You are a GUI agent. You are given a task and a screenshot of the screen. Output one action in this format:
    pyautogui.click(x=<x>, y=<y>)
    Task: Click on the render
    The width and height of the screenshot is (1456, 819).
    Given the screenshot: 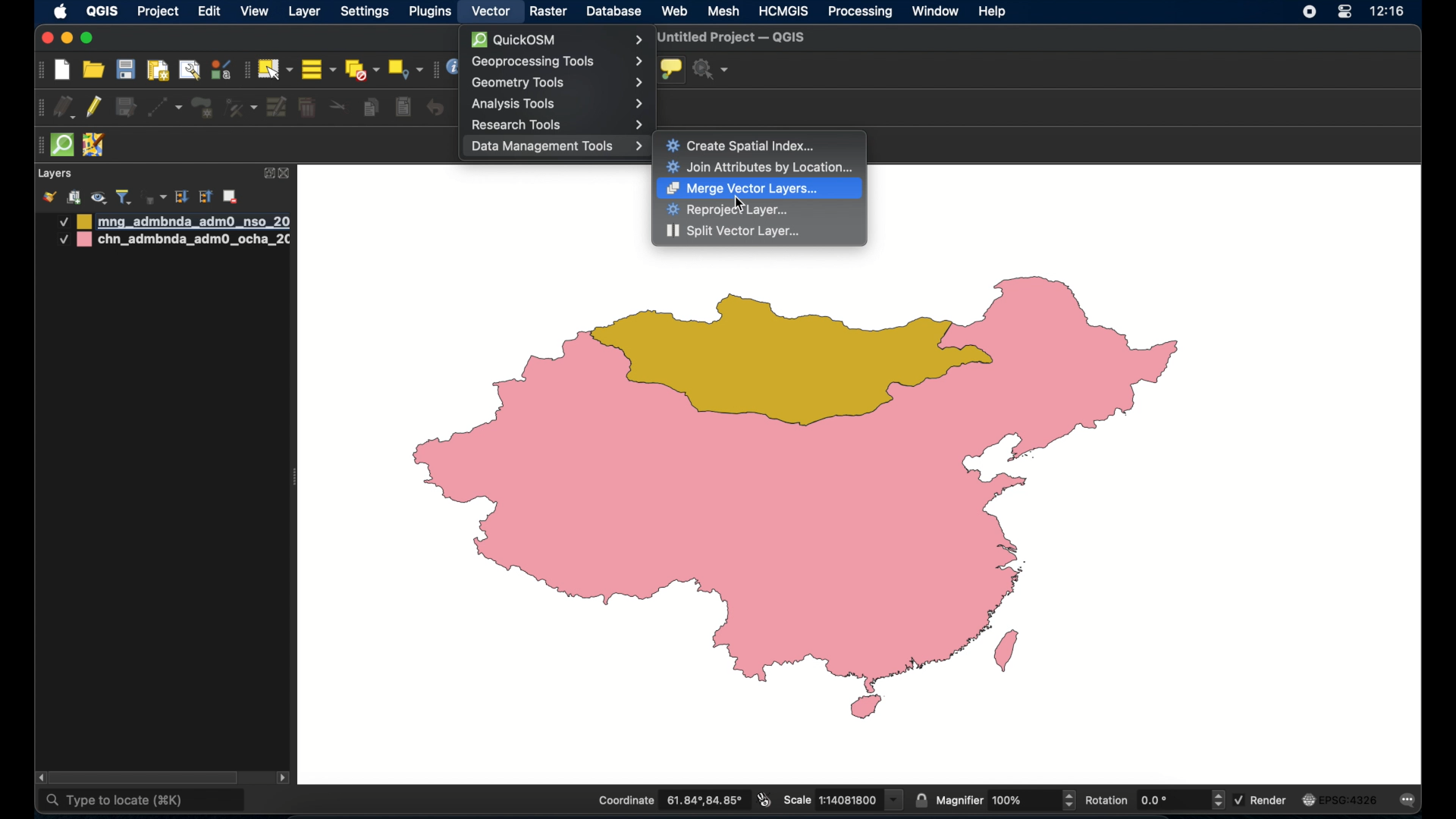 What is the action you would take?
    pyautogui.click(x=1262, y=799)
    